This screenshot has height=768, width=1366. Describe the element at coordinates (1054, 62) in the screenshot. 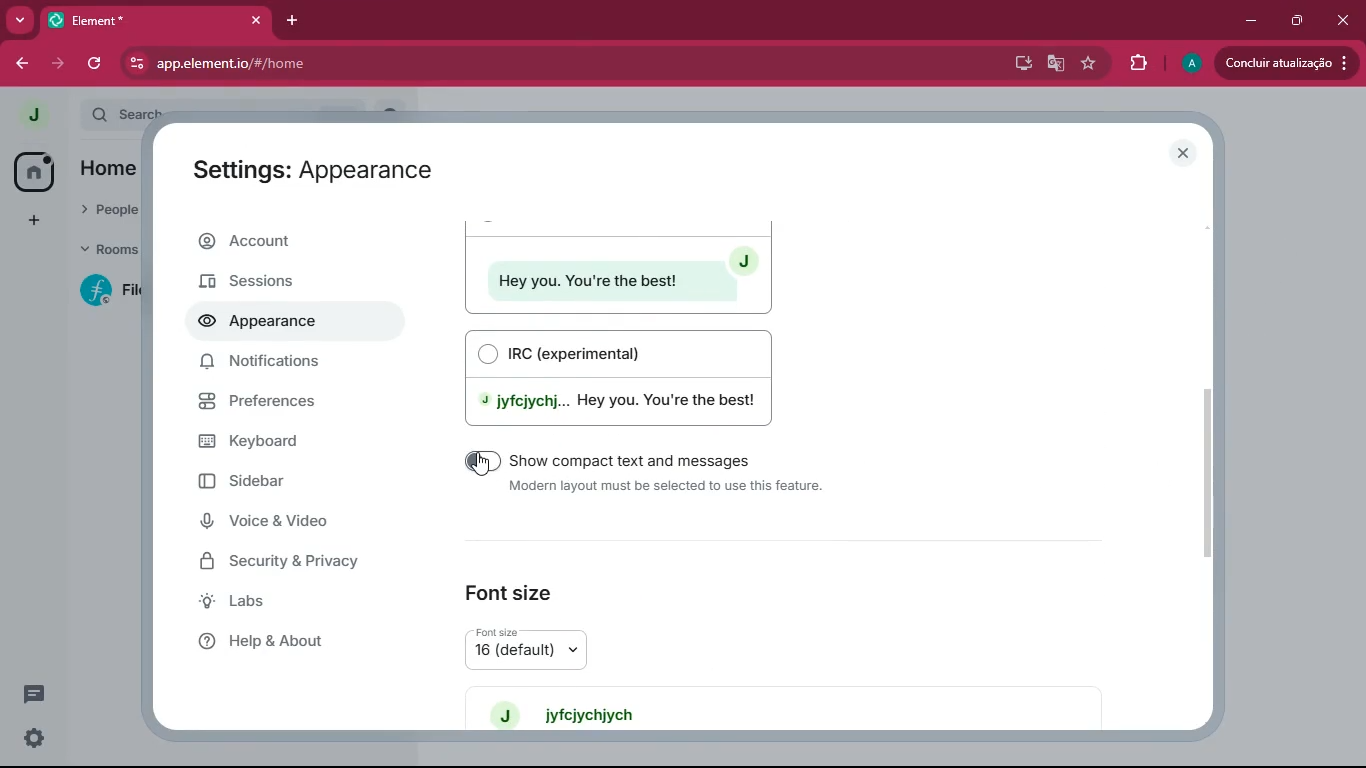

I see `google translate` at that location.